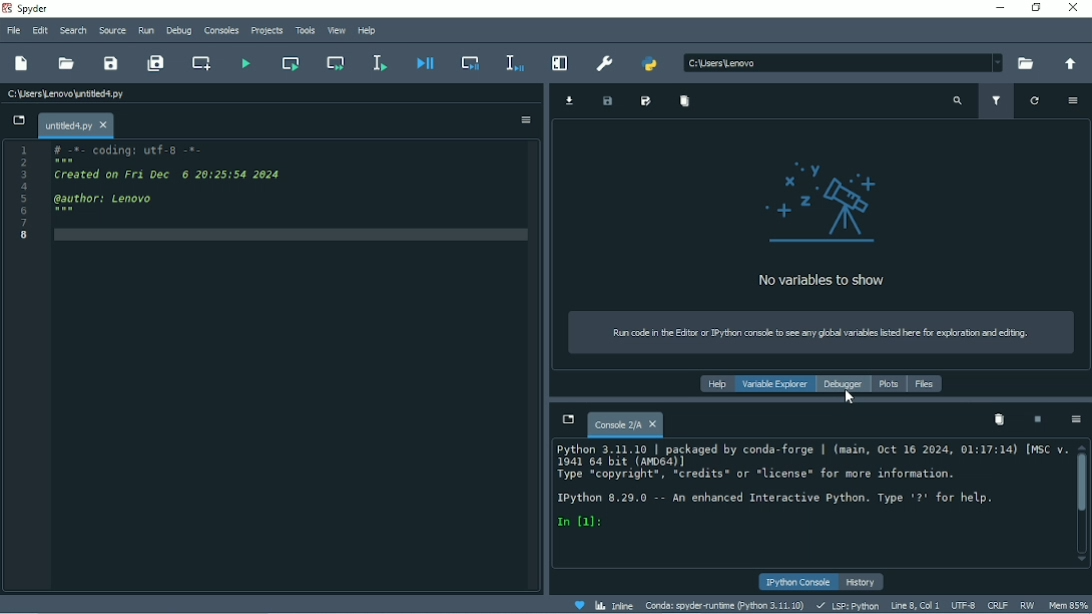  What do you see at coordinates (1081, 445) in the screenshot?
I see `scroll up` at bounding box center [1081, 445].